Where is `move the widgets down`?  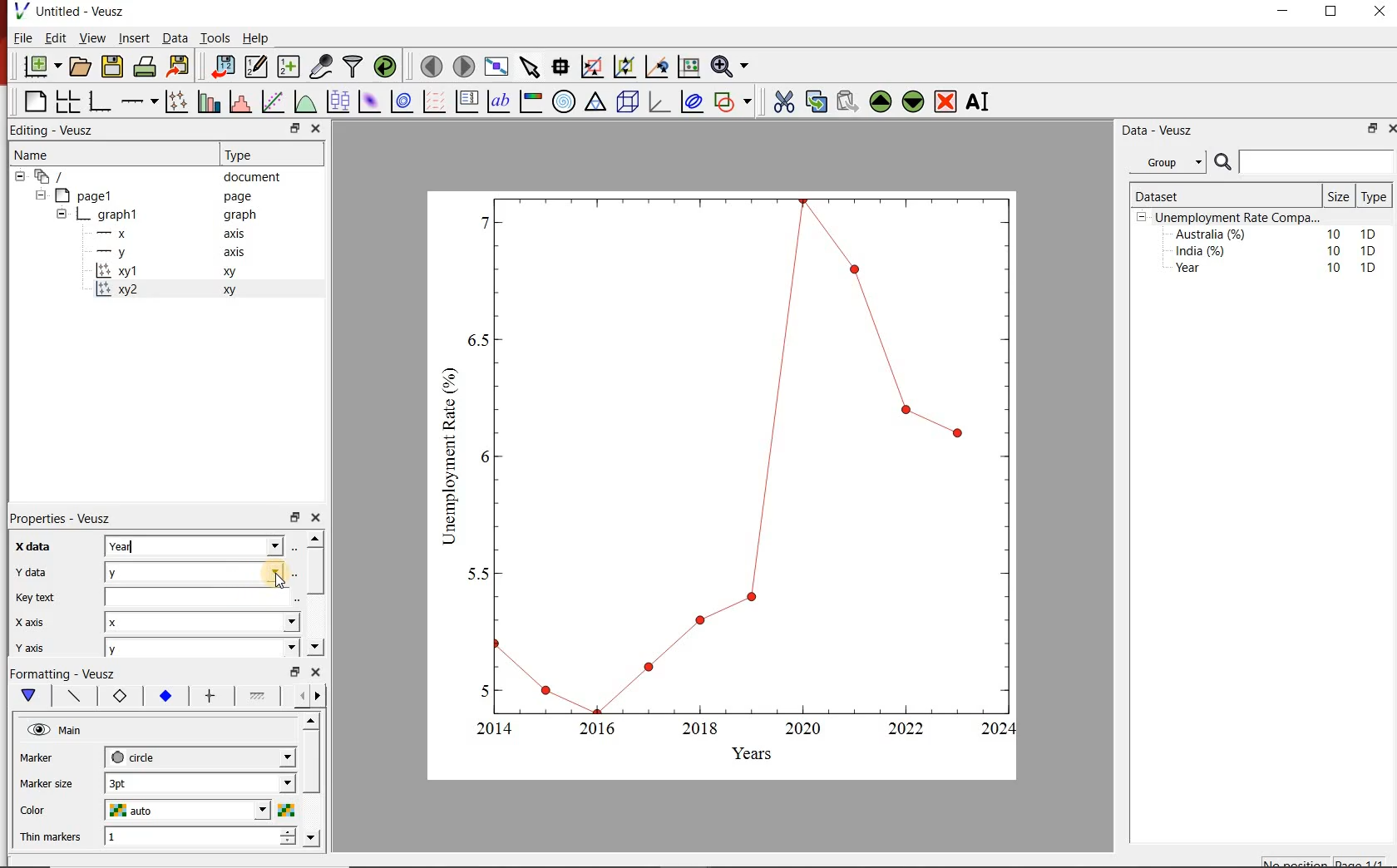 move the widgets down is located at coordinates (911, 101).